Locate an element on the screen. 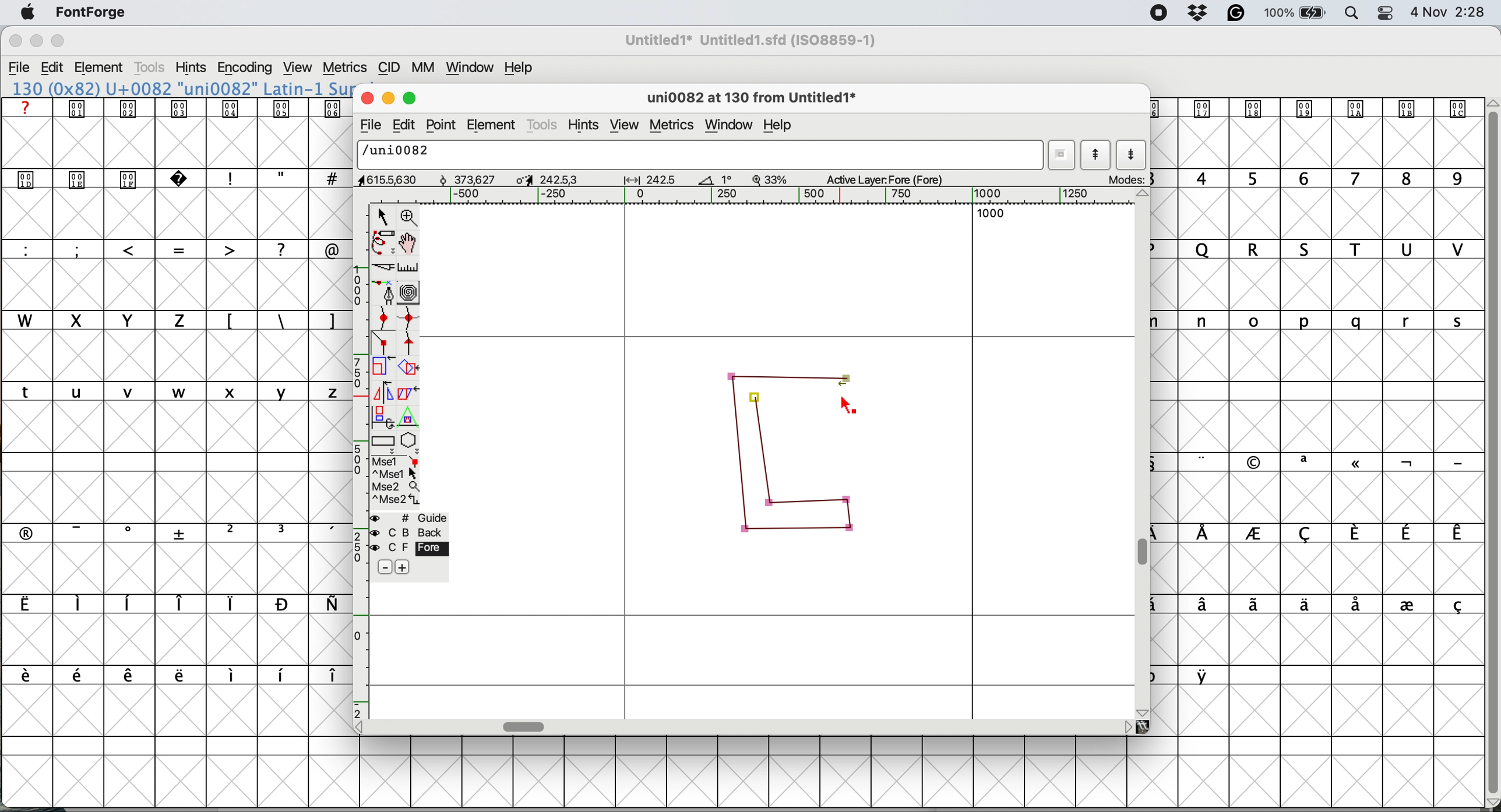  close is located at coordinates (15, 41).